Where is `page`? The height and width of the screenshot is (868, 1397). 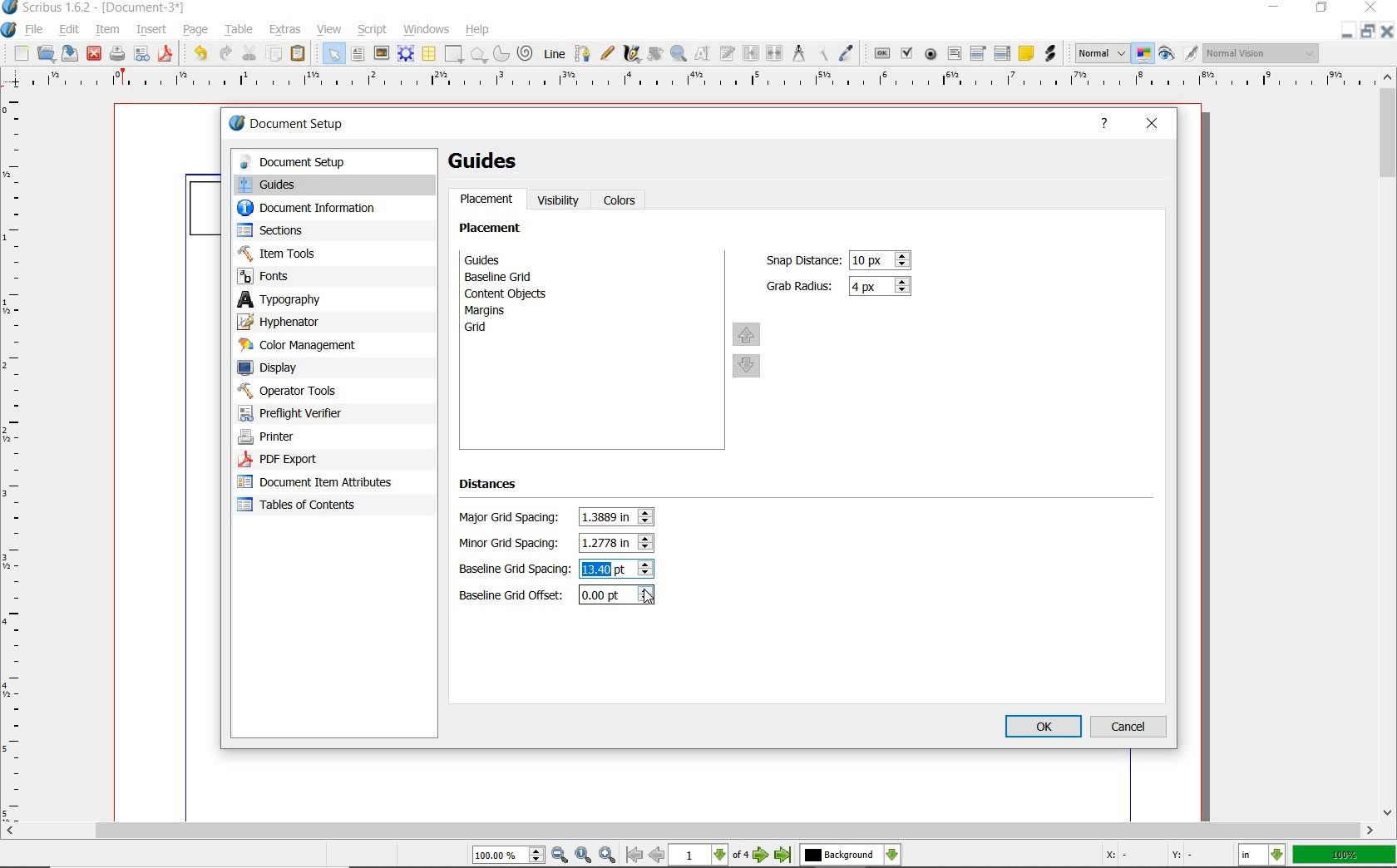
page is located at coordinates (195, 31).